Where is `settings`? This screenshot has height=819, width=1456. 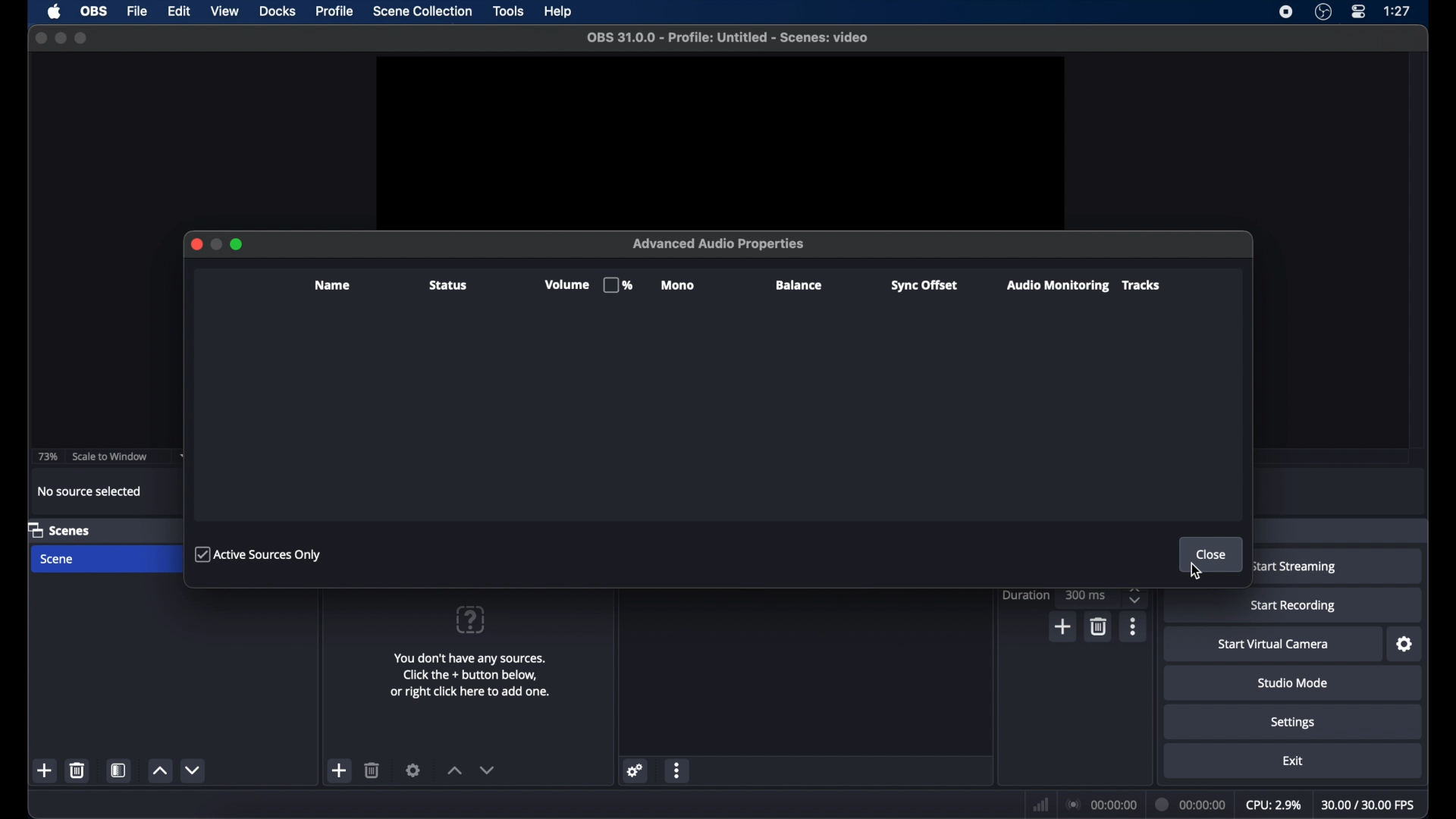 settings is located at coordinates (1404, 645).